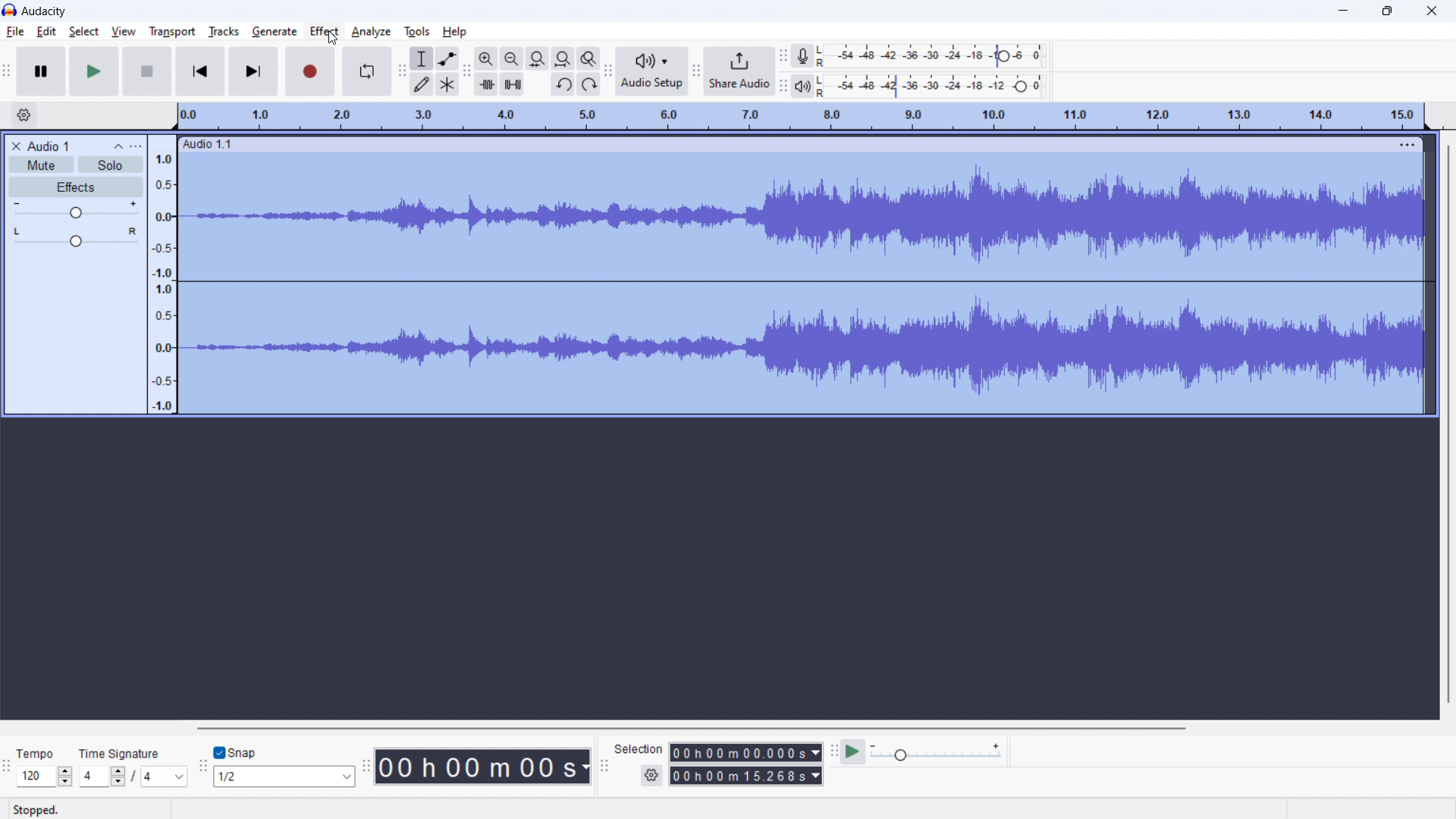 The width and height of the screenshot is (1456, 819). I want to click on hold to move, so click(783, 145).